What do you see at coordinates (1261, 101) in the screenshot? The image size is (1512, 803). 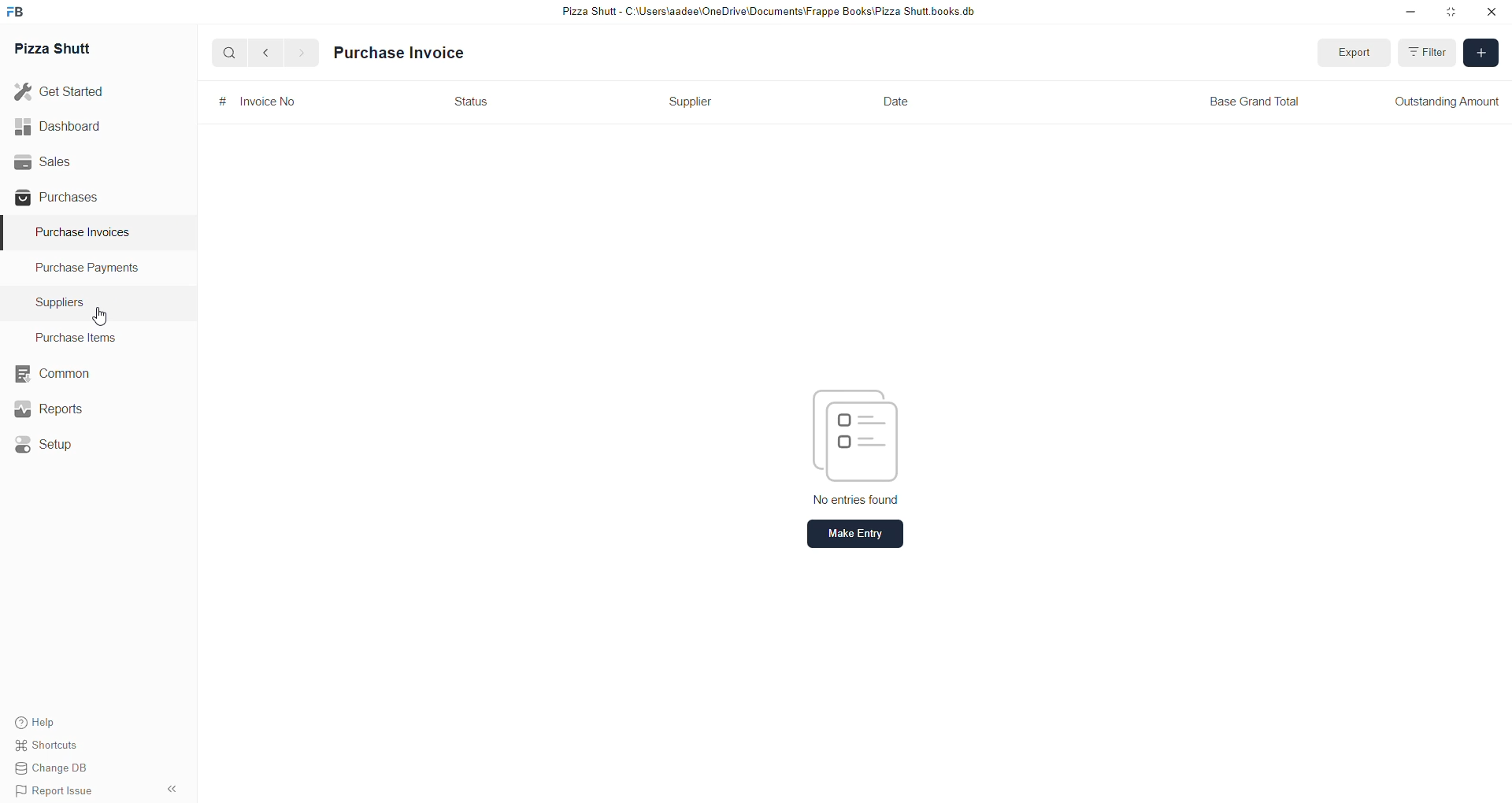 I see `Base Grand Total` at bounding box center [1261, 101].